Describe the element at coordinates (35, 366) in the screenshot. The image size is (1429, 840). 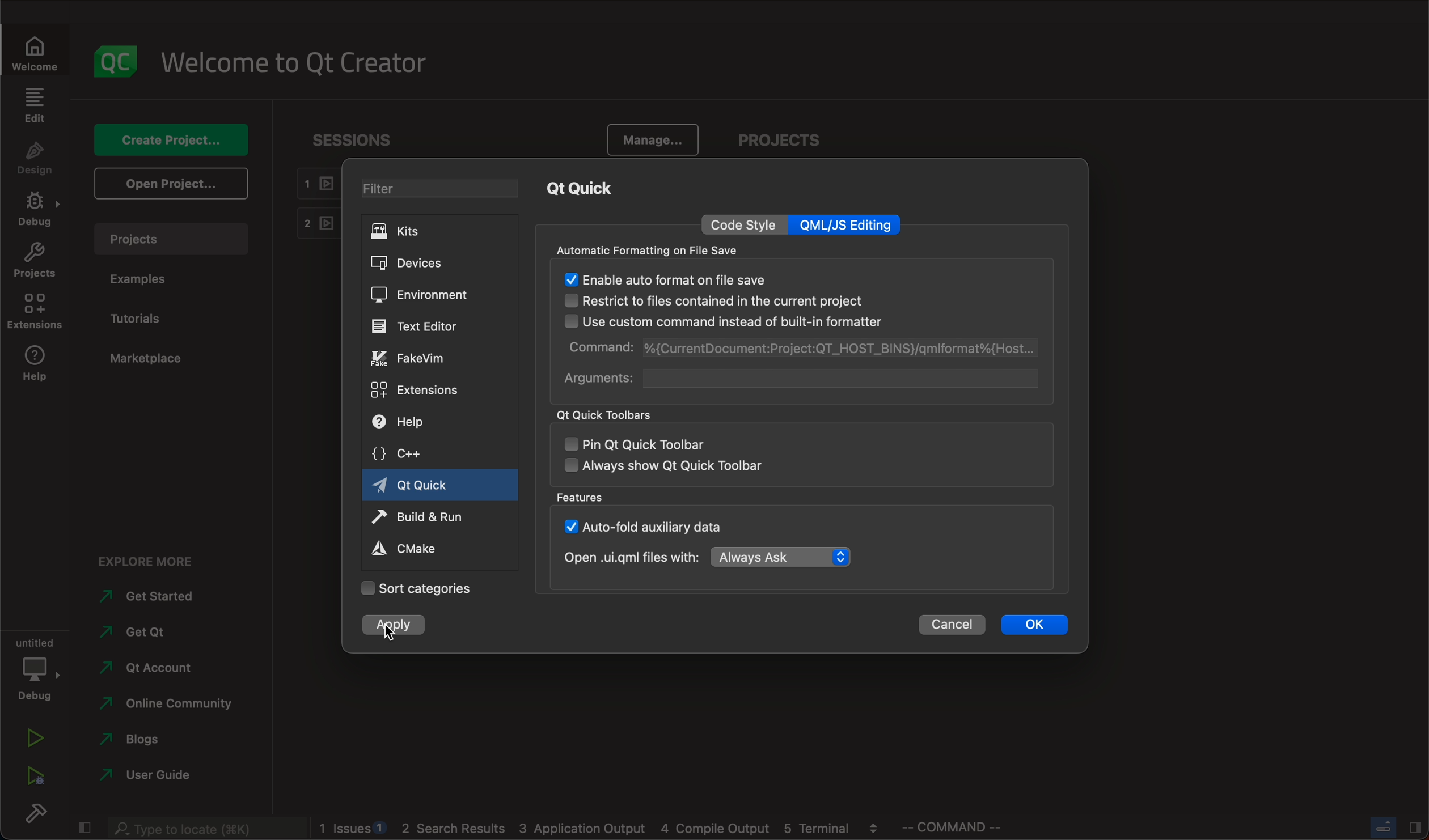
I see `help` at that location.